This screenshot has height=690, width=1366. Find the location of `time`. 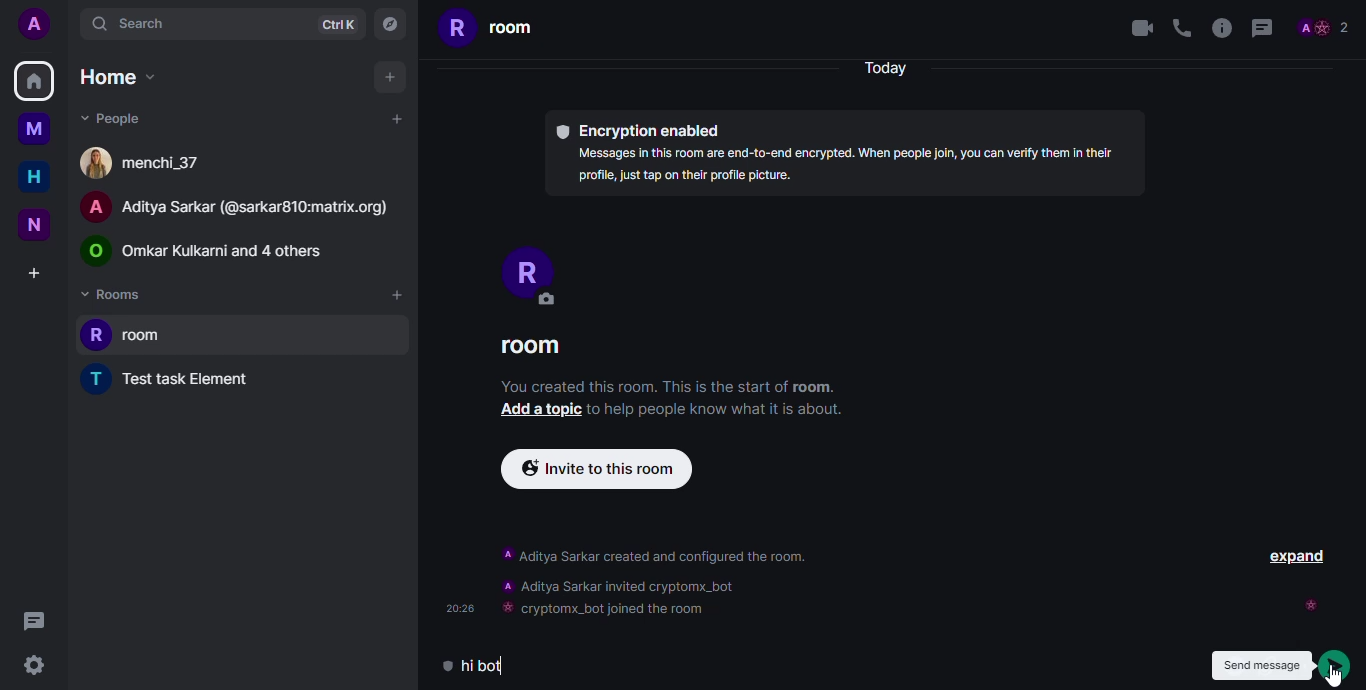

time is located at coordinates (459, 608).